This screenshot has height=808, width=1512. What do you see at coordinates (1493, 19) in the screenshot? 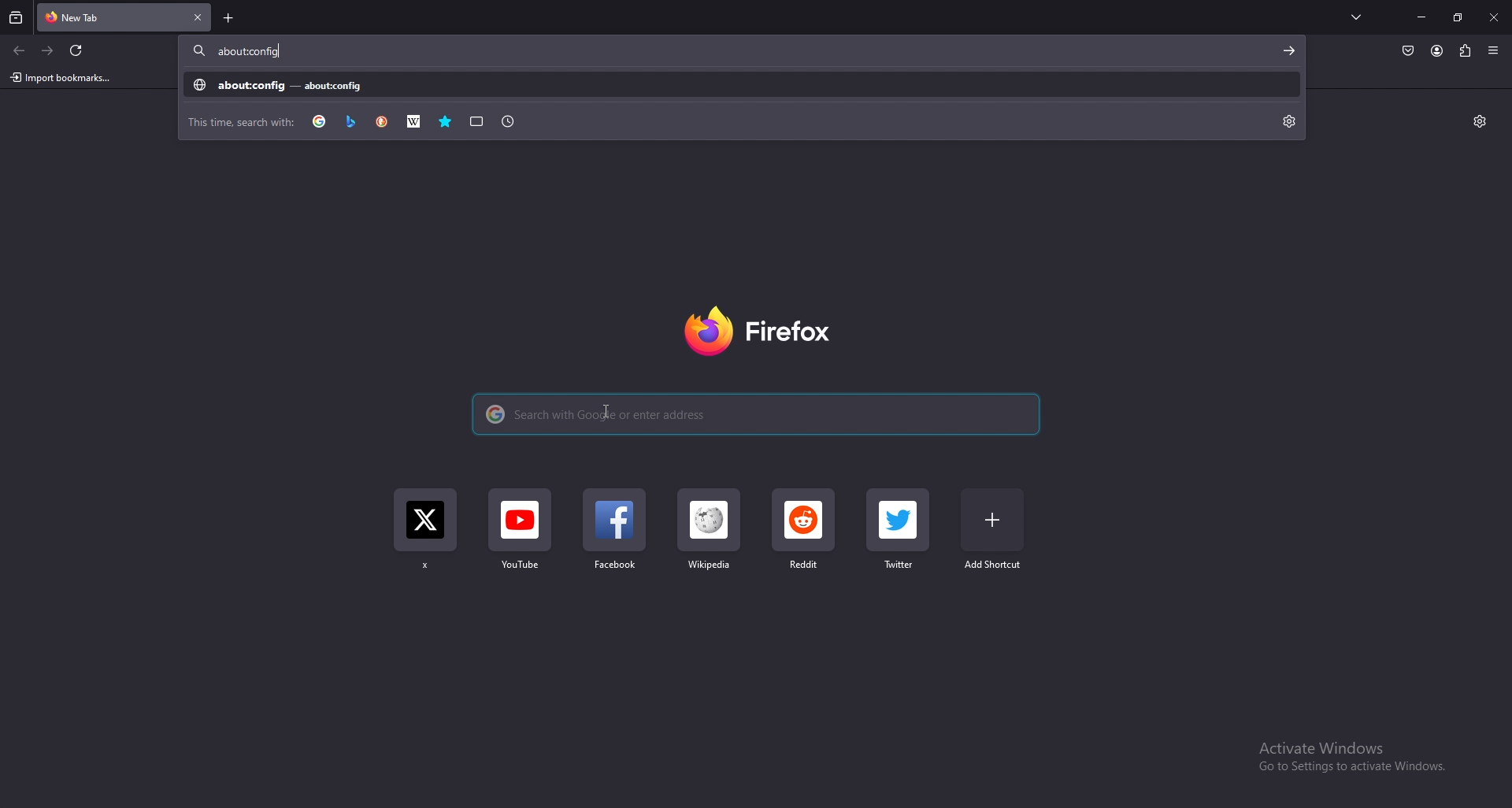
I see `close` at bounding box center [1493, 19].